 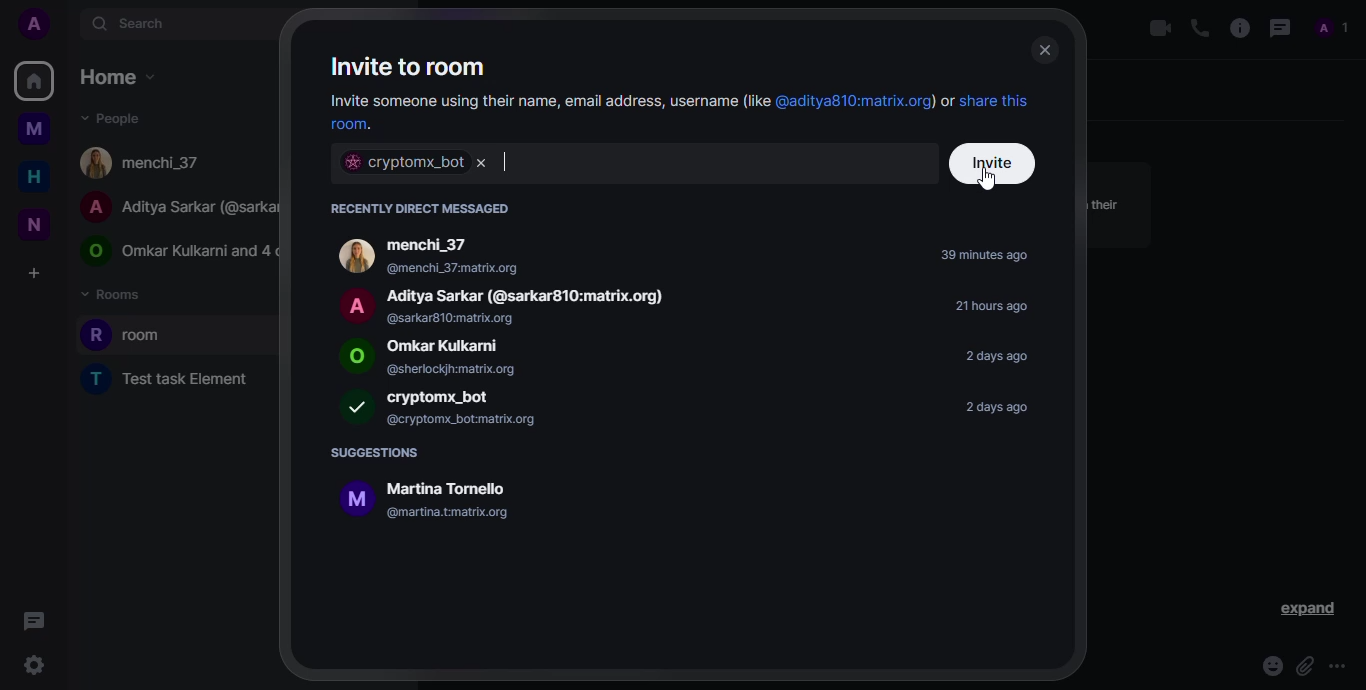 I want to click on menchi_37, so click(x=430, y=242).